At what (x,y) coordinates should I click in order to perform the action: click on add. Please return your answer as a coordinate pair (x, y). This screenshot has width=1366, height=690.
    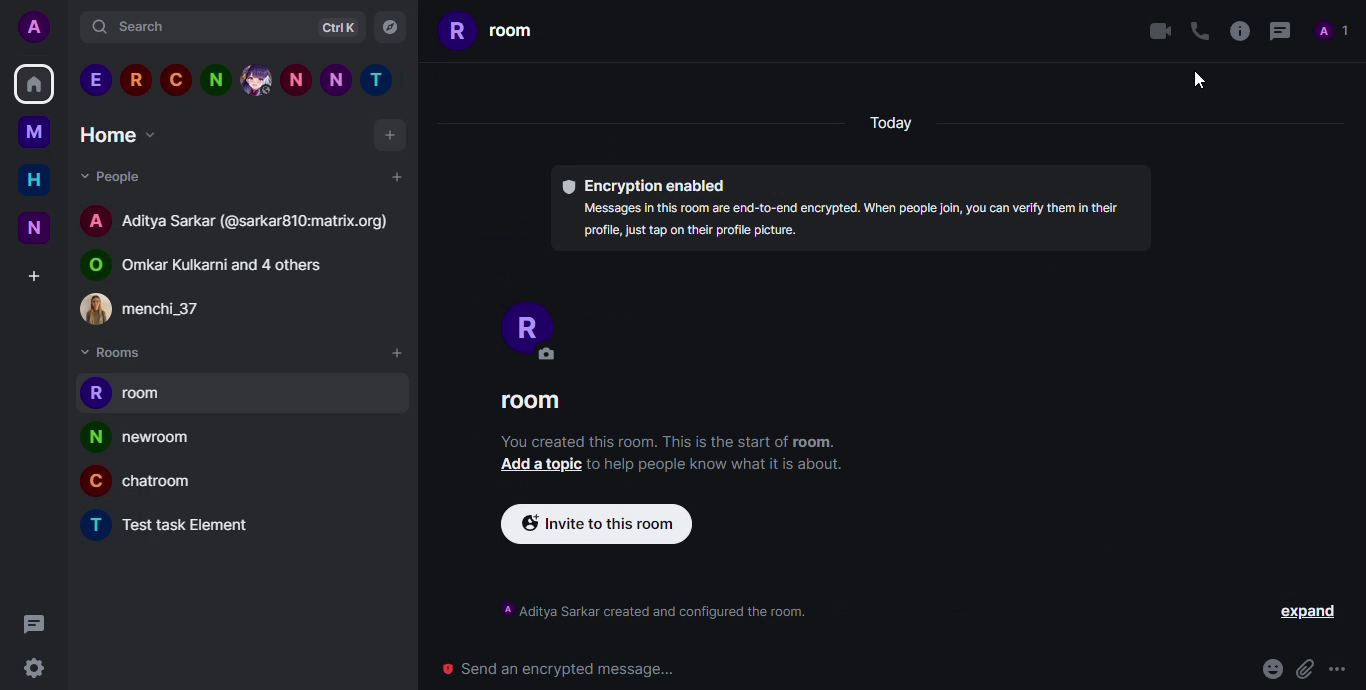
    Looking at the image, I should click on (396, 353).